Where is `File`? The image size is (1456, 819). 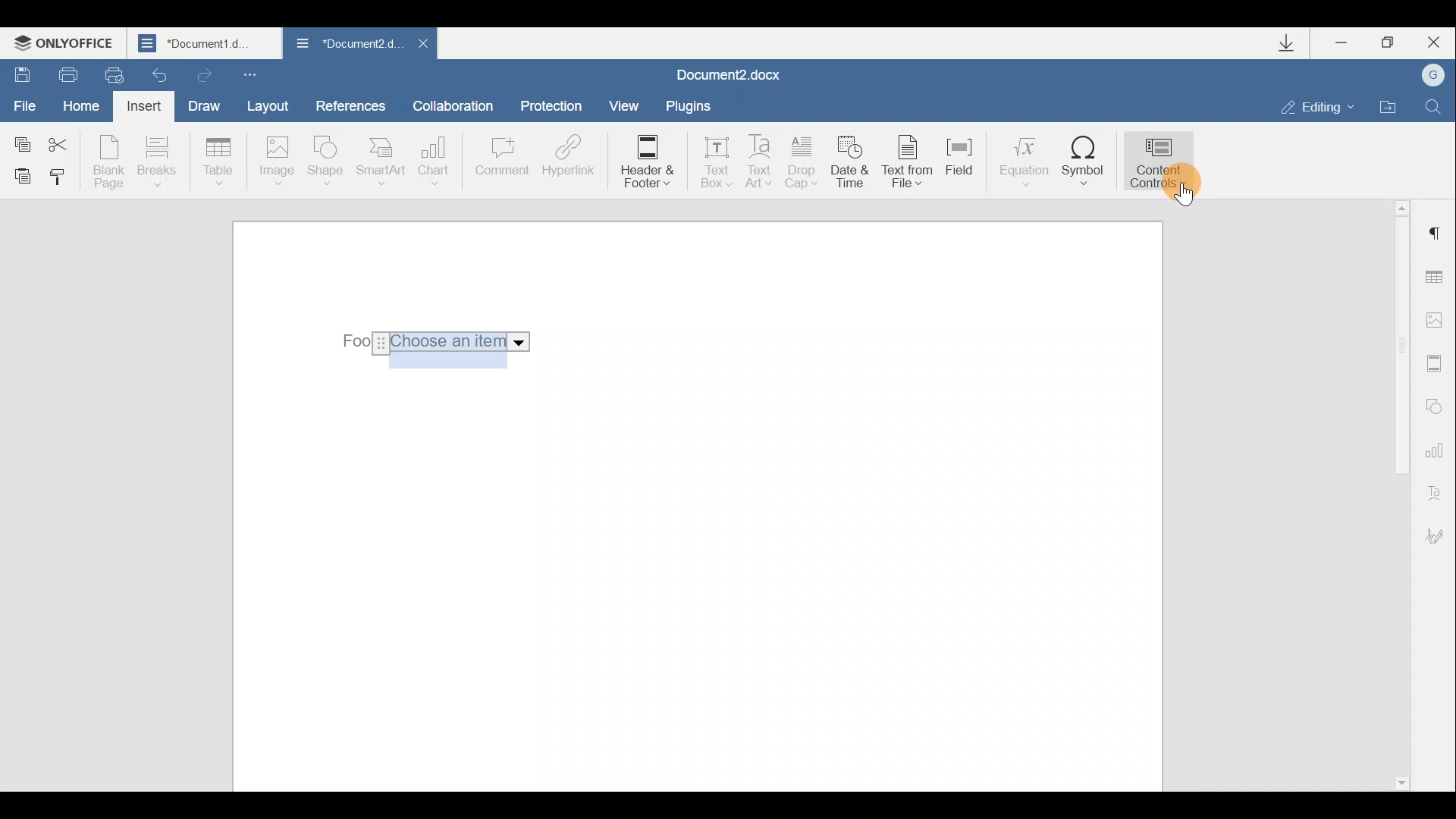
File is located at coordinates (26, 104).